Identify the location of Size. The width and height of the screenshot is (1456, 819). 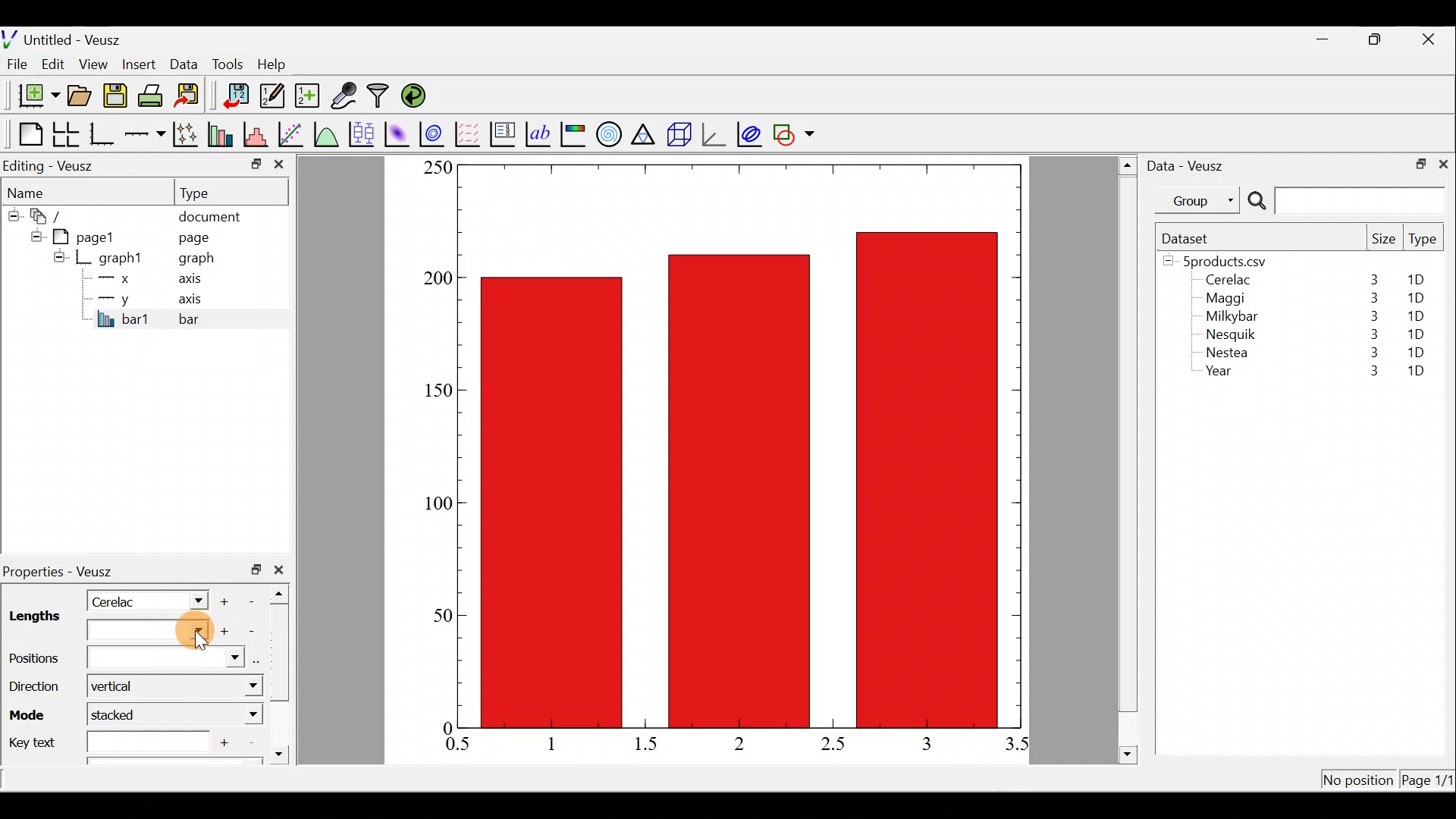
(1383, 240).